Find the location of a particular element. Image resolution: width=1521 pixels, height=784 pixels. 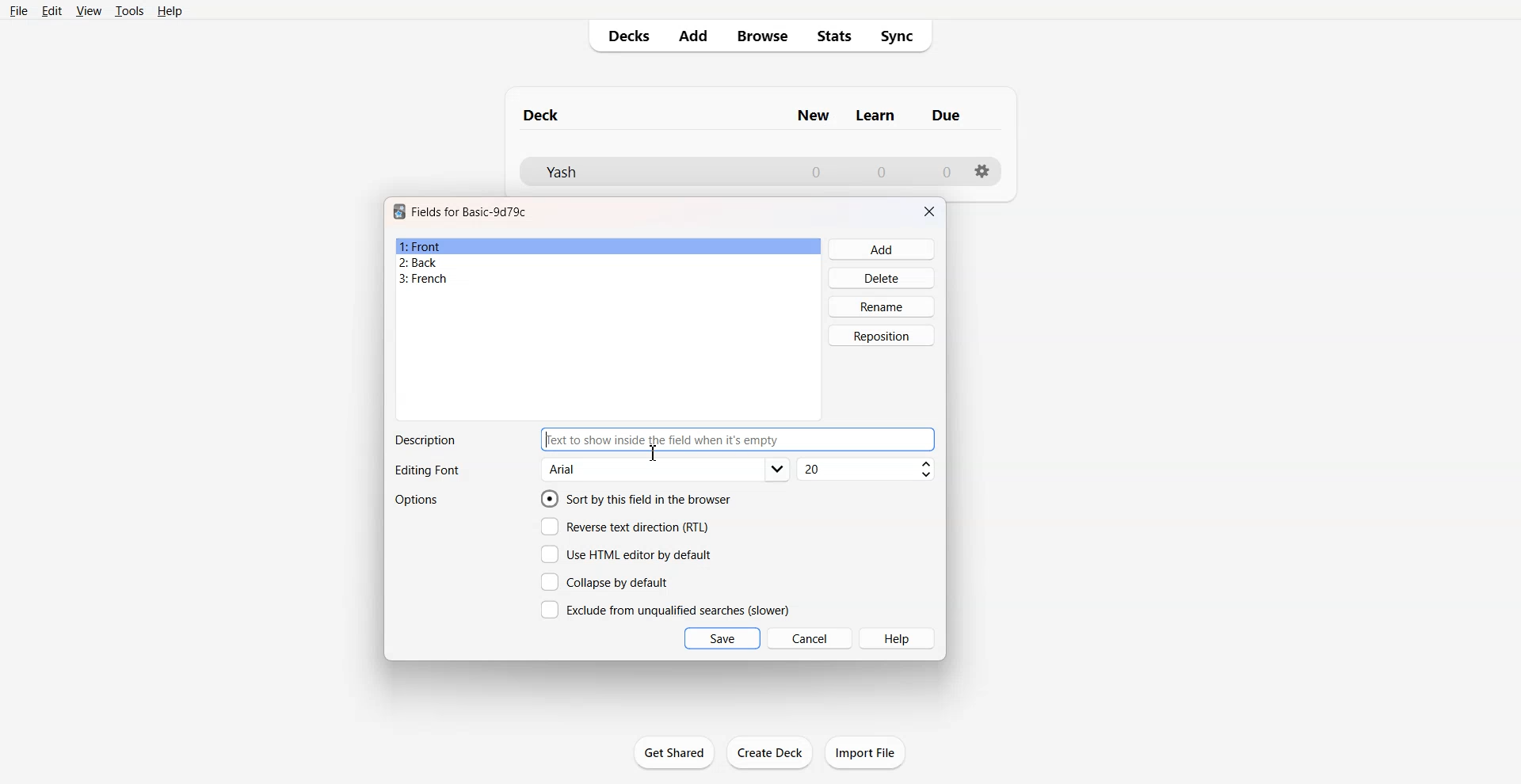

Close is located at coordinates (929, 211).